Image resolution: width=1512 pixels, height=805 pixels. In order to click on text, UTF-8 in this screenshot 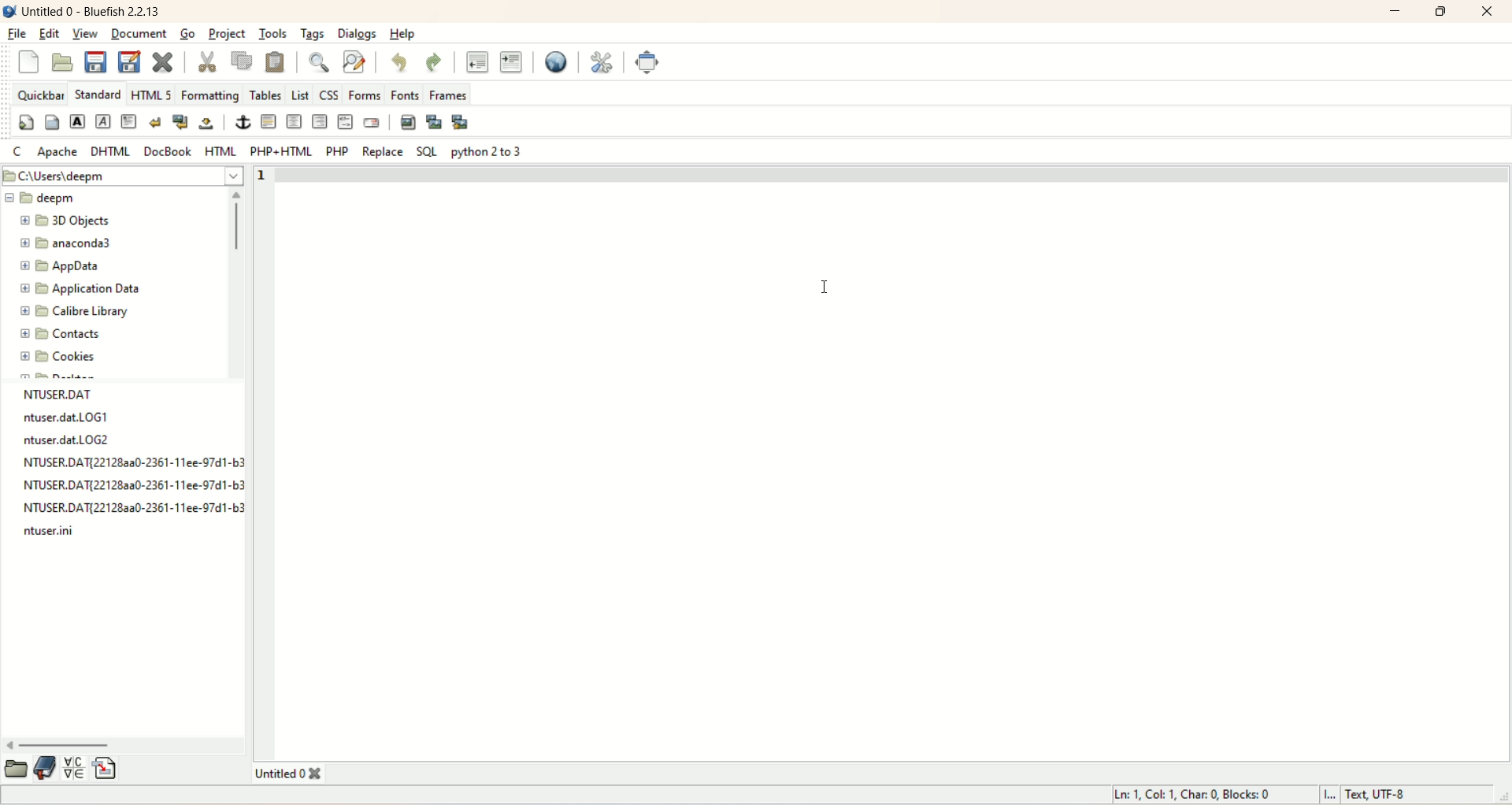, I will do `click(1385, 795)`.